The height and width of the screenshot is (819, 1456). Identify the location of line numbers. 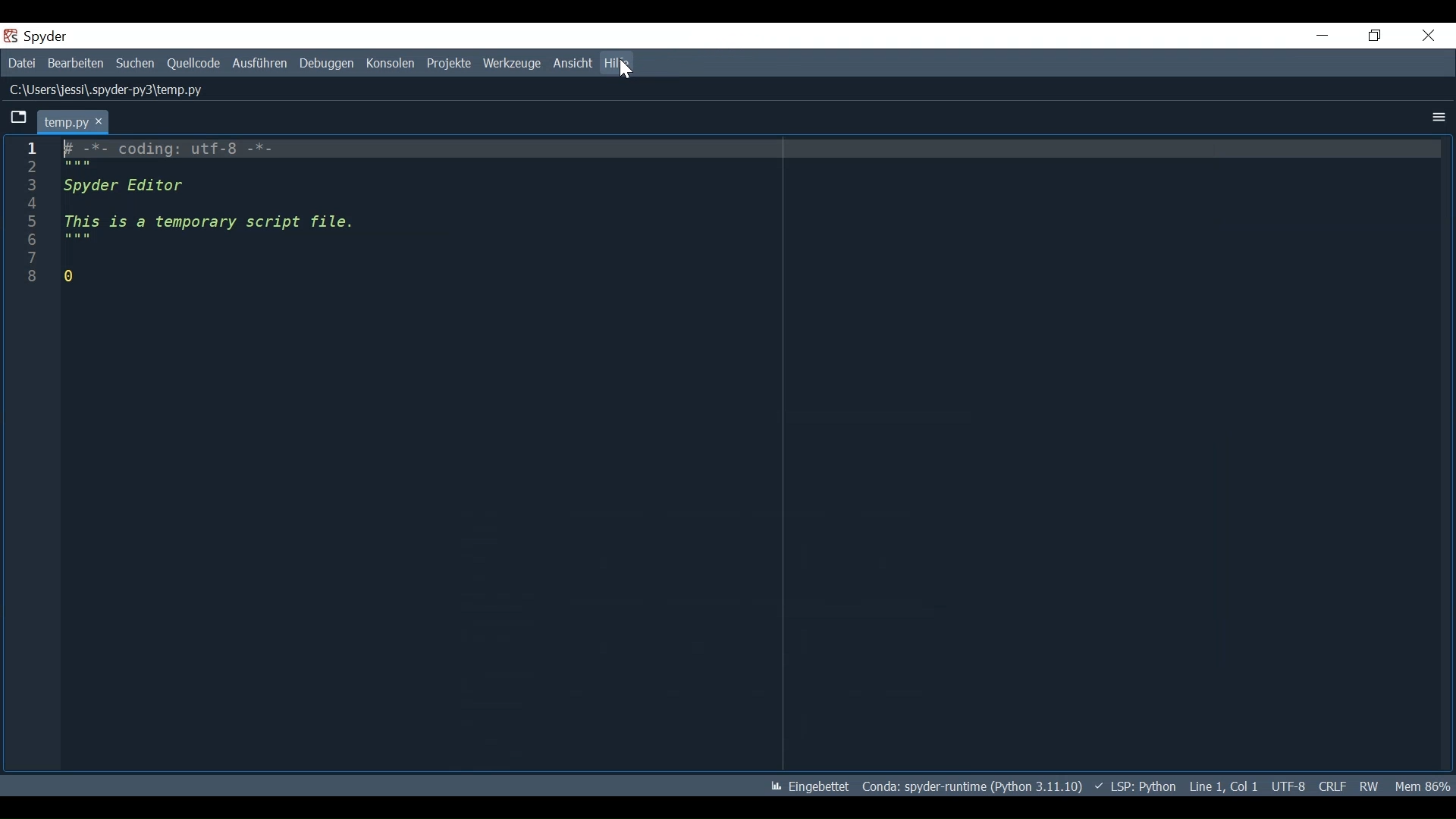
(30, 216).